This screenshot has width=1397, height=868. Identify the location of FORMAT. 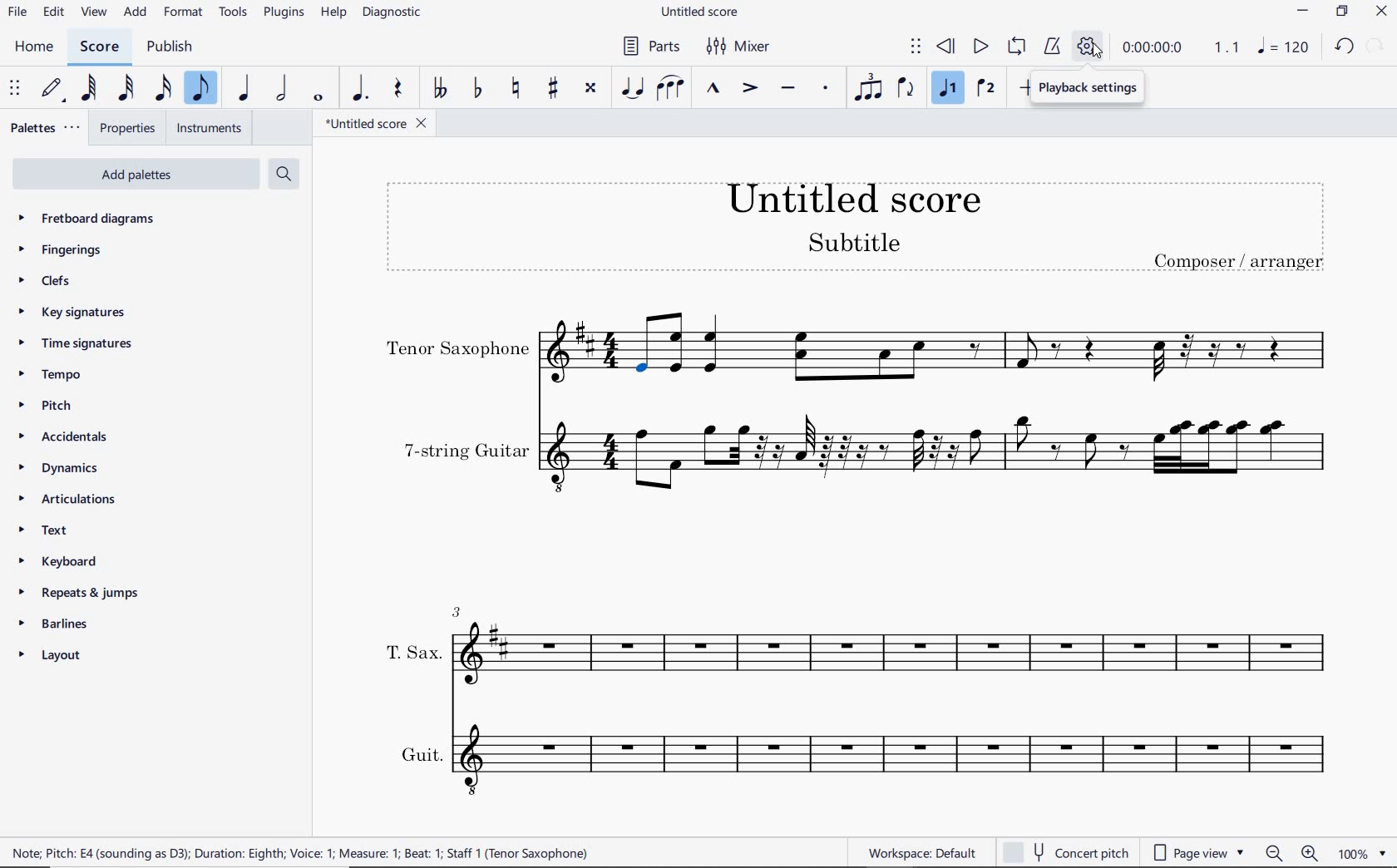
(185, 12).